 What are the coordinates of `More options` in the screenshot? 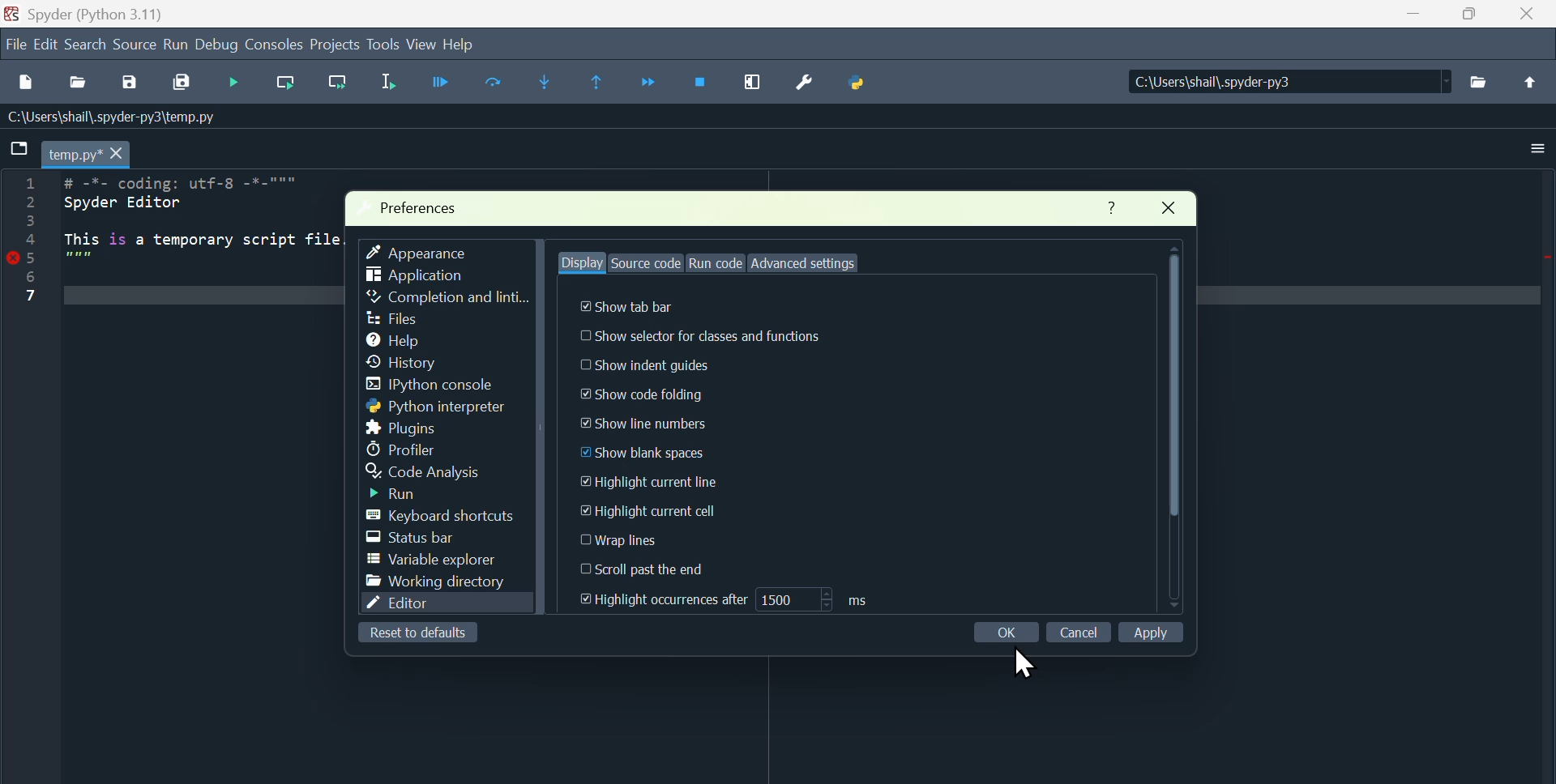 It's located at (1528, 155).